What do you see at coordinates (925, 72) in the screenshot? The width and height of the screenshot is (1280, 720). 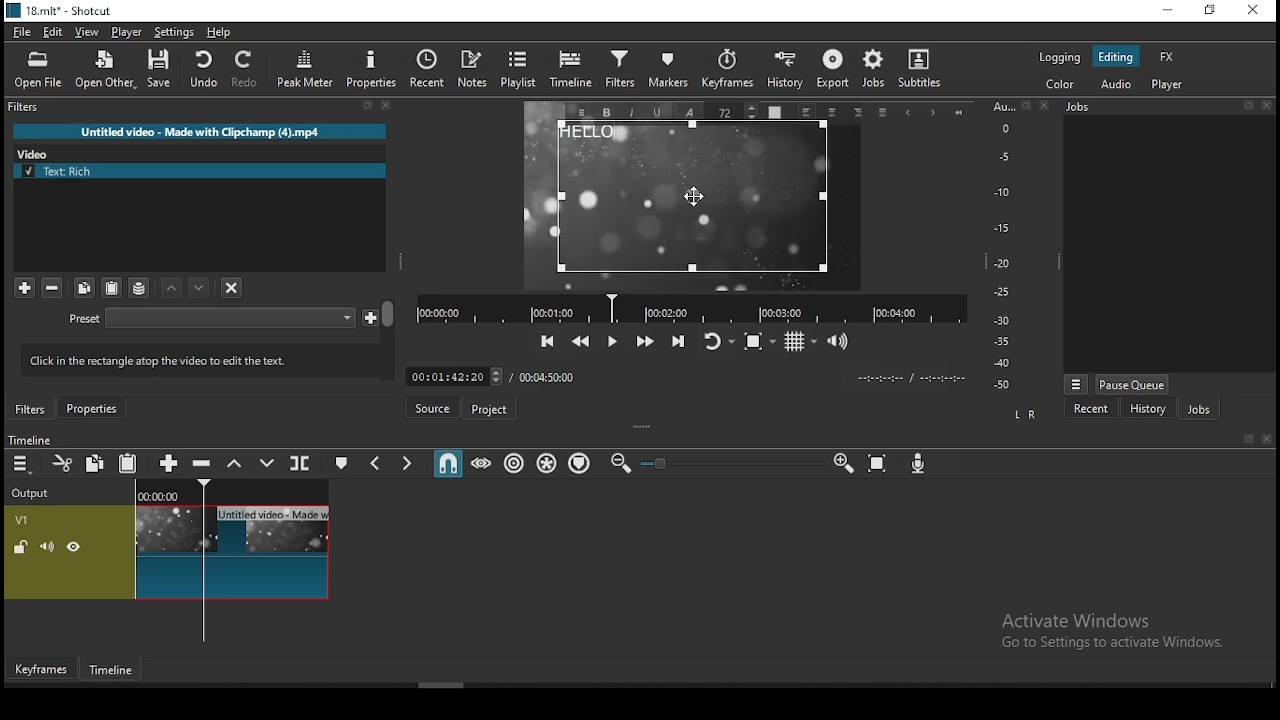 I see `subtitles` at bounding box center [925, 72].